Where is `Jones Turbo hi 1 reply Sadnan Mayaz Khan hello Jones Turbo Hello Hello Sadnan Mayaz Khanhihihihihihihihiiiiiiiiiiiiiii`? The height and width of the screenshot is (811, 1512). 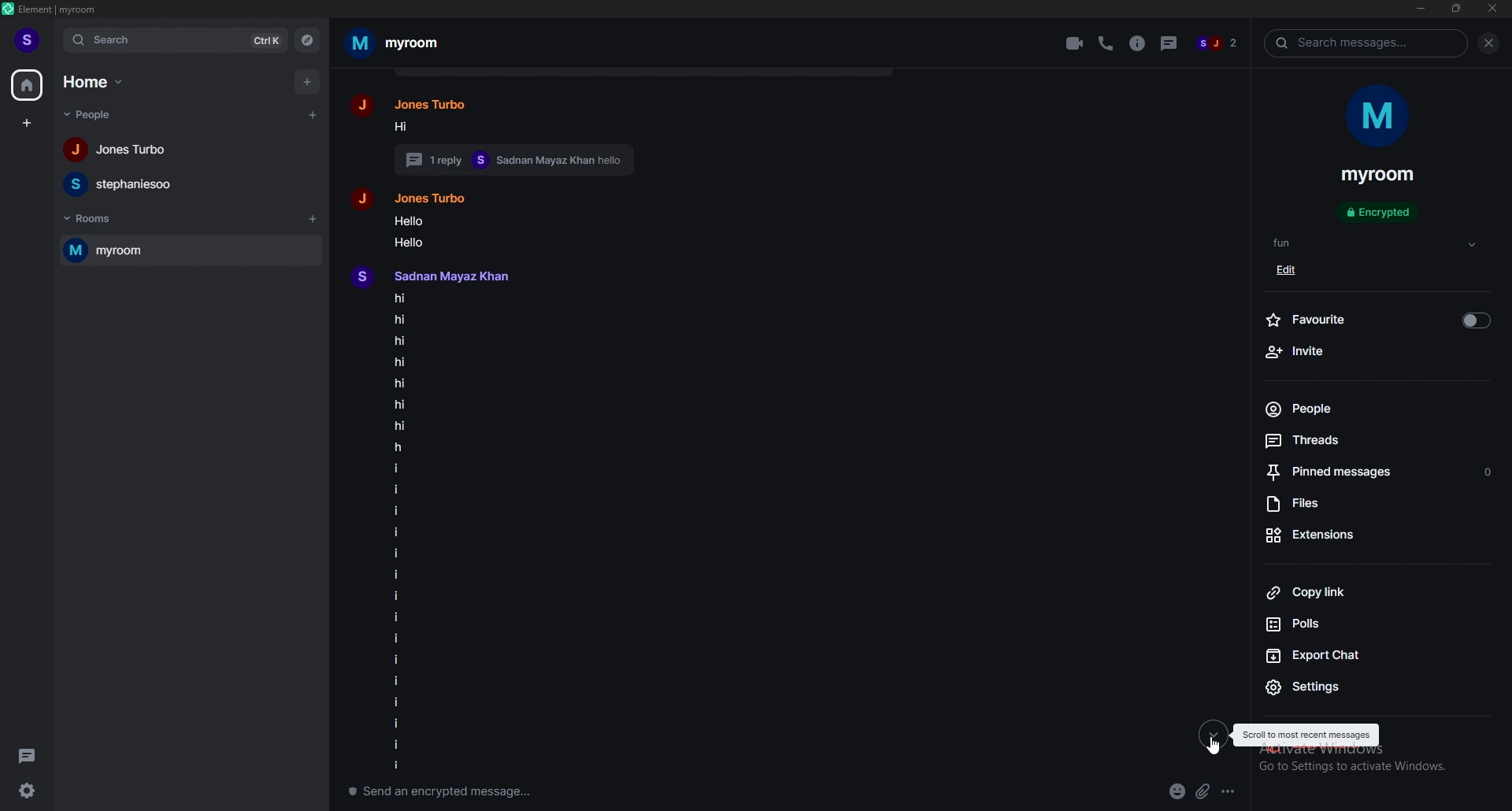 Jones Turbo hi 1 reply Sadnan Mayaz Khan hello Jones Turbo Hello Hello Sadnan Mayaz Khanhihihihihihihihiiiiiiiiiiiiiii is located at coordinates (517, 431).